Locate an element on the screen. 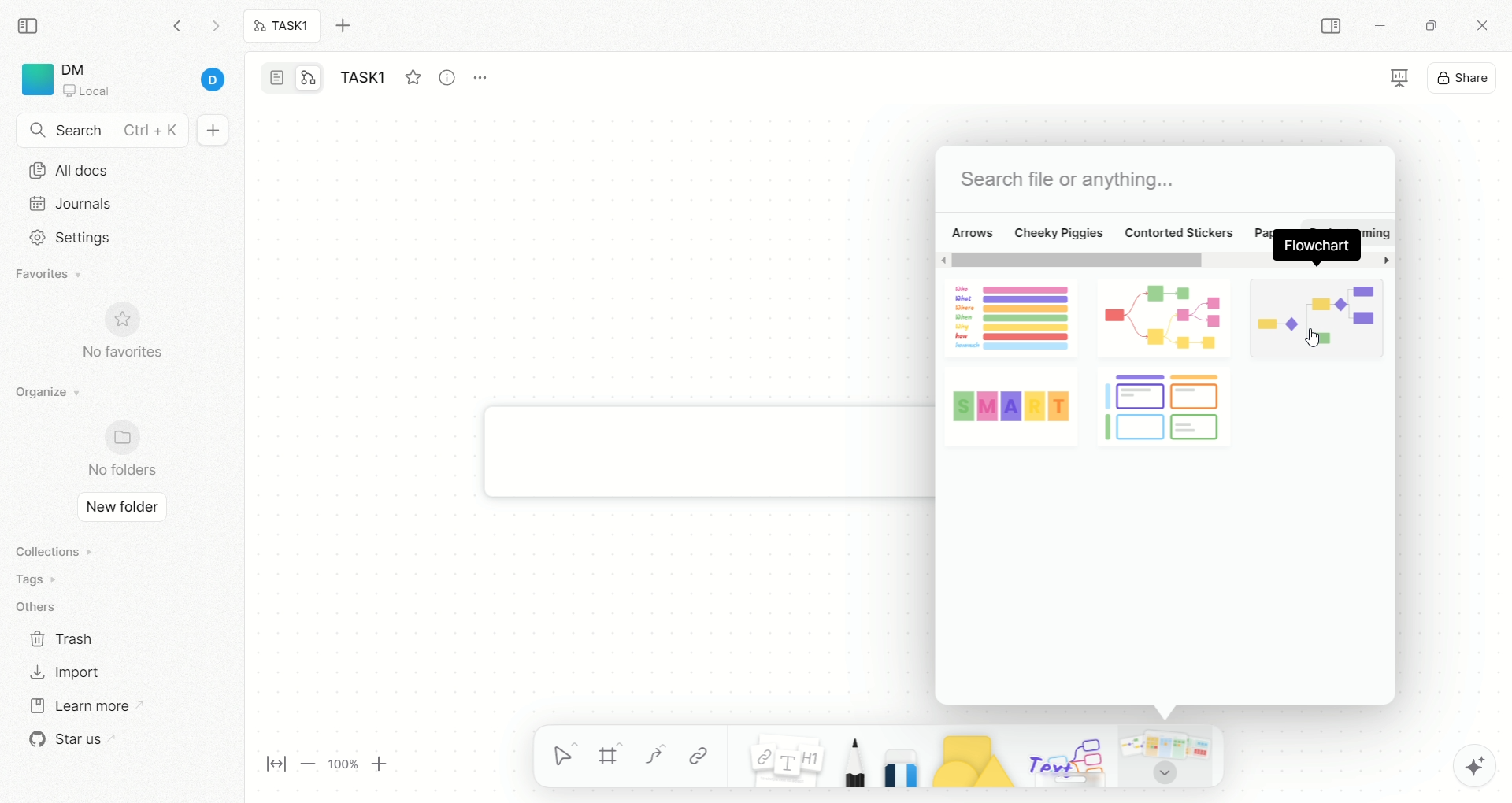 The width and height of the screenshot is (1512, 803). collections is located at coordinates (51, 551).